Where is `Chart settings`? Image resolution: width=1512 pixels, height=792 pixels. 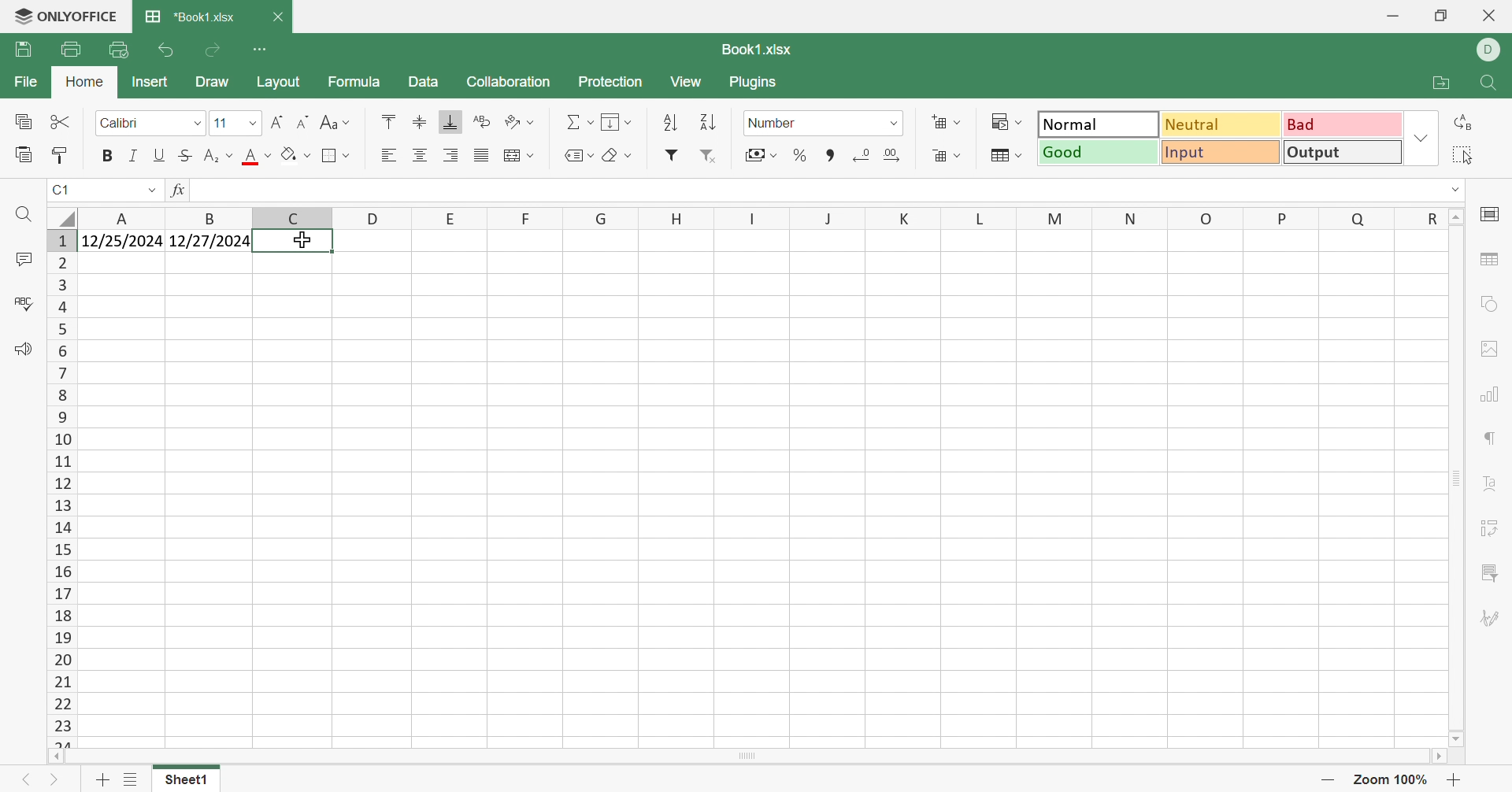 Chart settings is located at coordinates (1490, 393).